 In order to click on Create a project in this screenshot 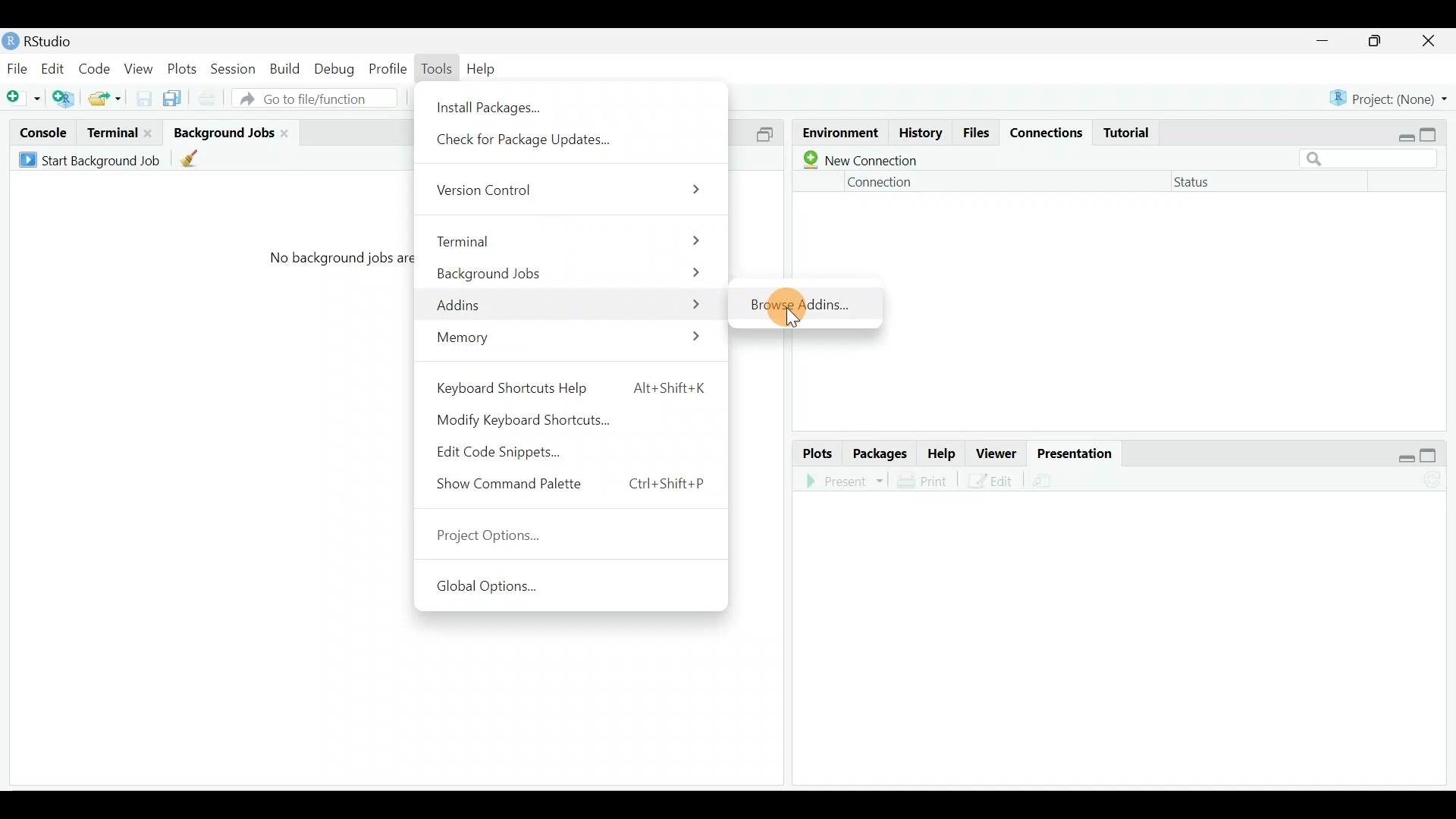, I will do `click(64, 98)`.